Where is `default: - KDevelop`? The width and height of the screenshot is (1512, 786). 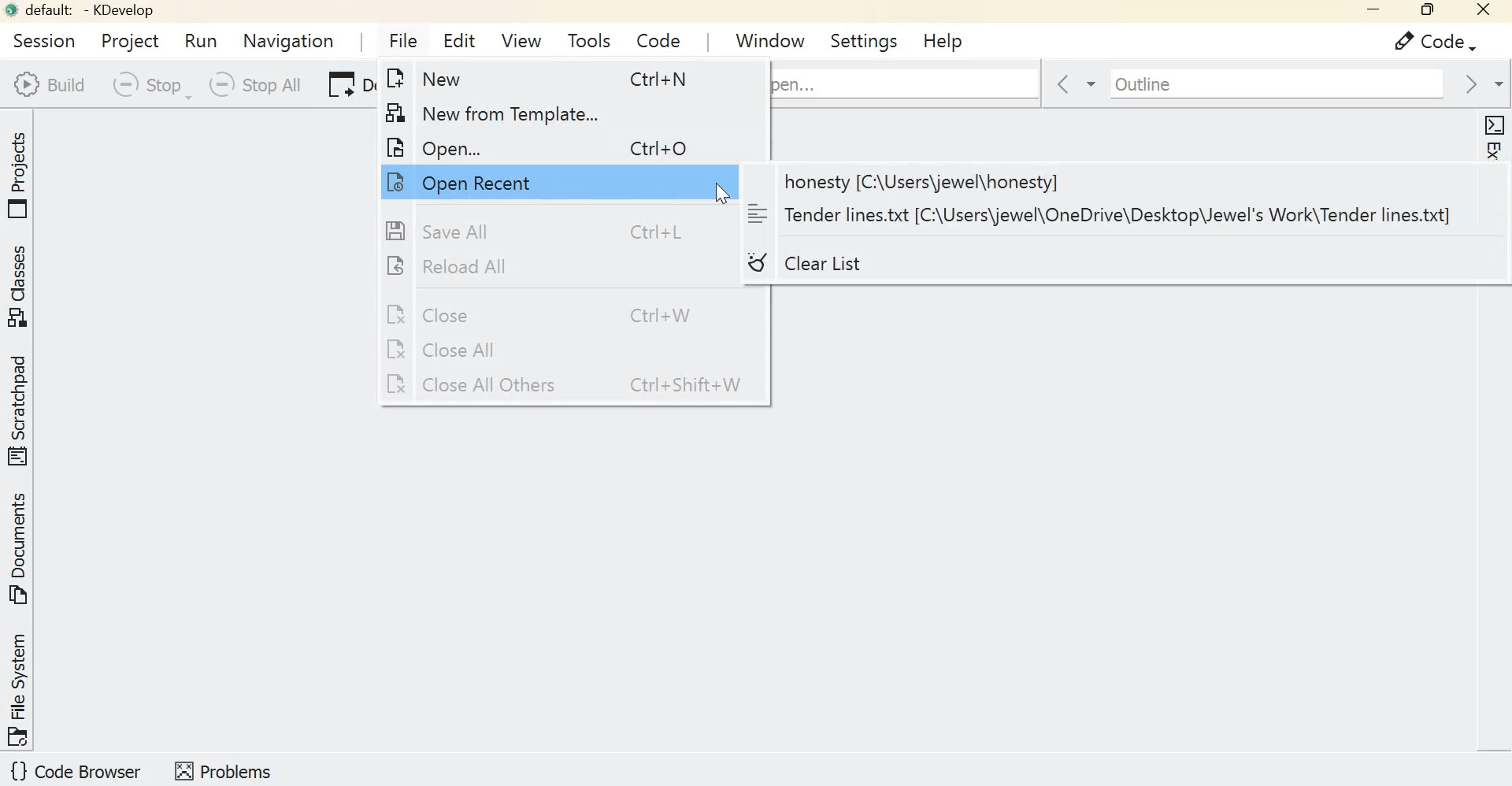
default: - KDevelop is located at coordinates (85, 10).